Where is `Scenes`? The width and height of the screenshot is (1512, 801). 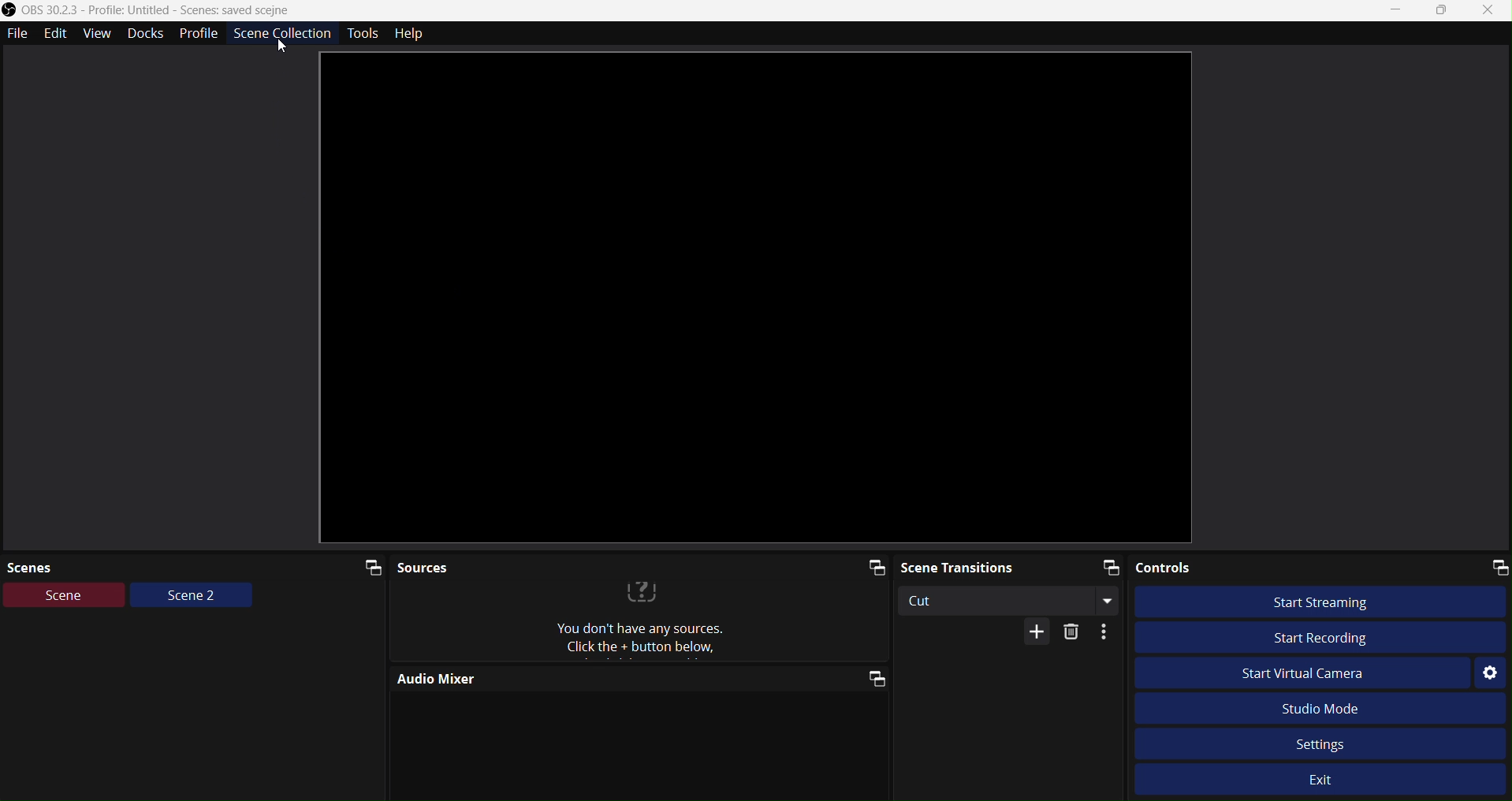 Scenes is located at coordinates (195, 567).